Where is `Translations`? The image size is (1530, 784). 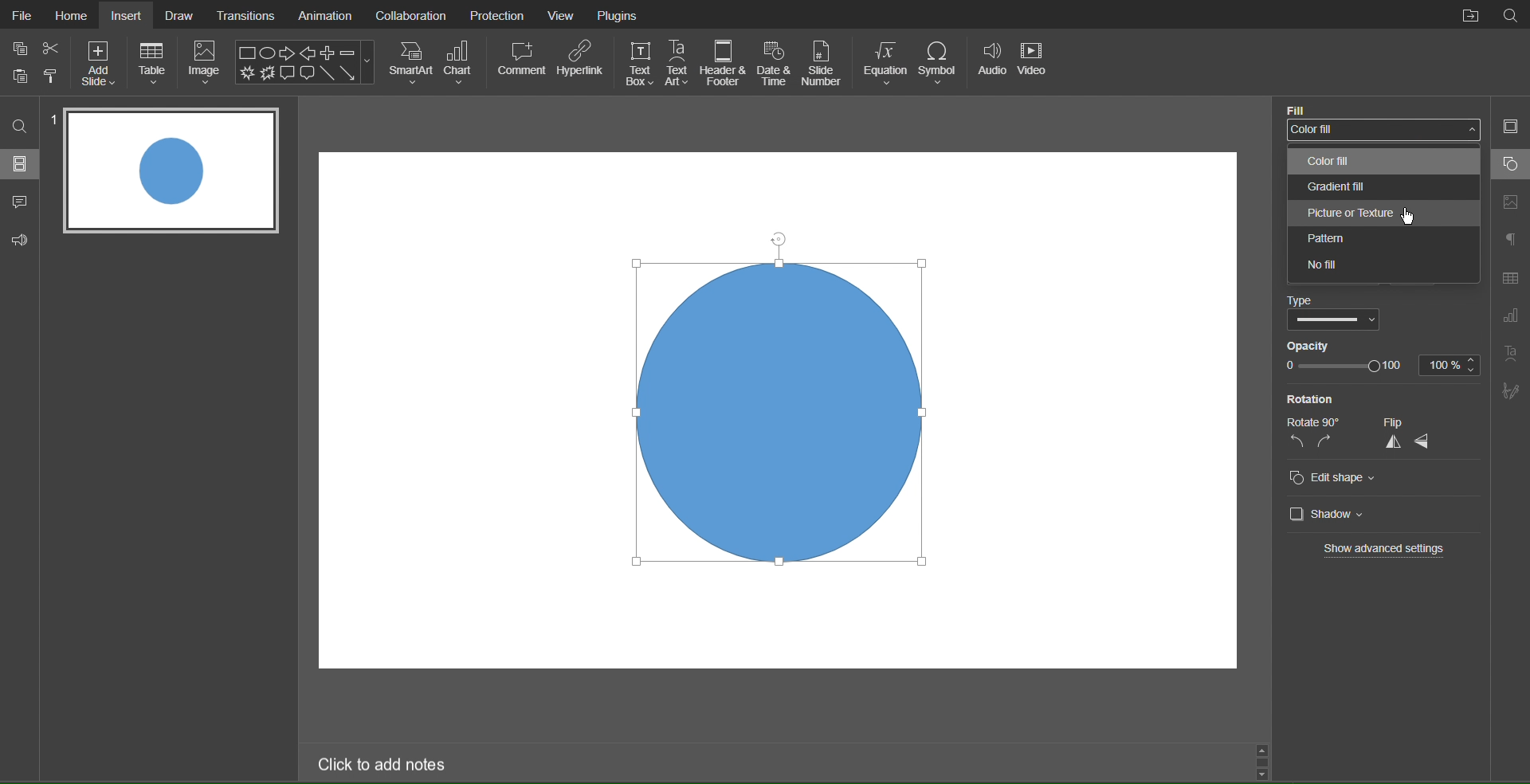
Translations is located at coordinates (246, 14).